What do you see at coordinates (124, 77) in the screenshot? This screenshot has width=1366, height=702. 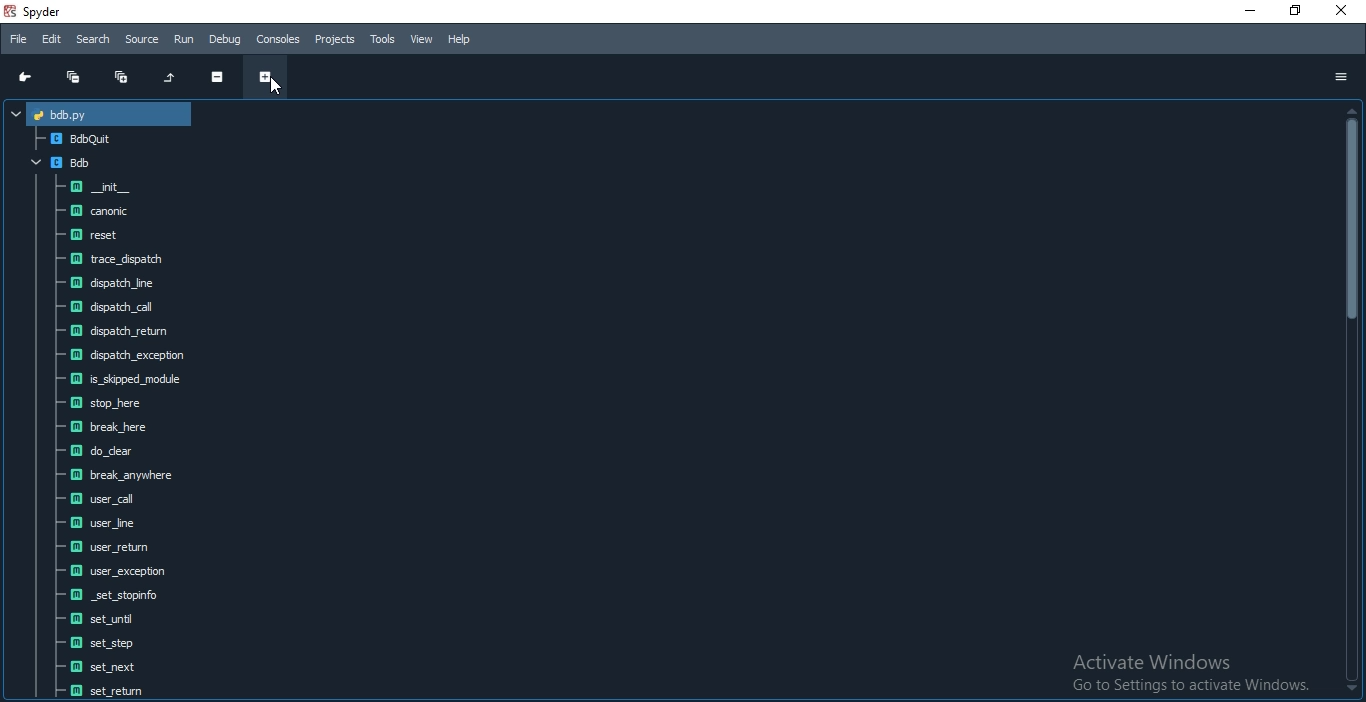 I see `Expand all` at bounding box center [124, 77].